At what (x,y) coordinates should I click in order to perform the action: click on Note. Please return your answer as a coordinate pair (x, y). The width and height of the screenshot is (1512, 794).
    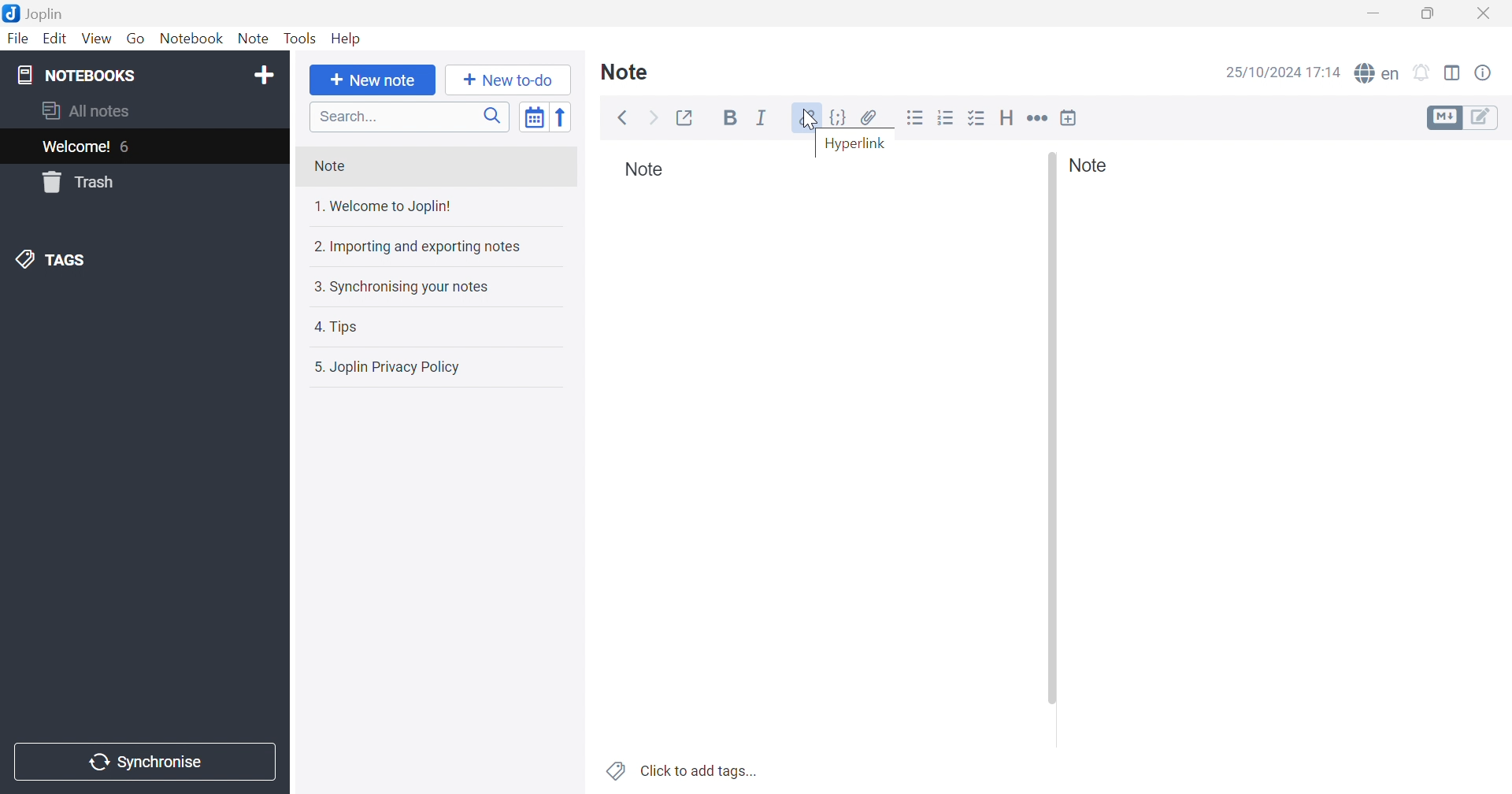
    Looking at the image, I should click on (632, 72).